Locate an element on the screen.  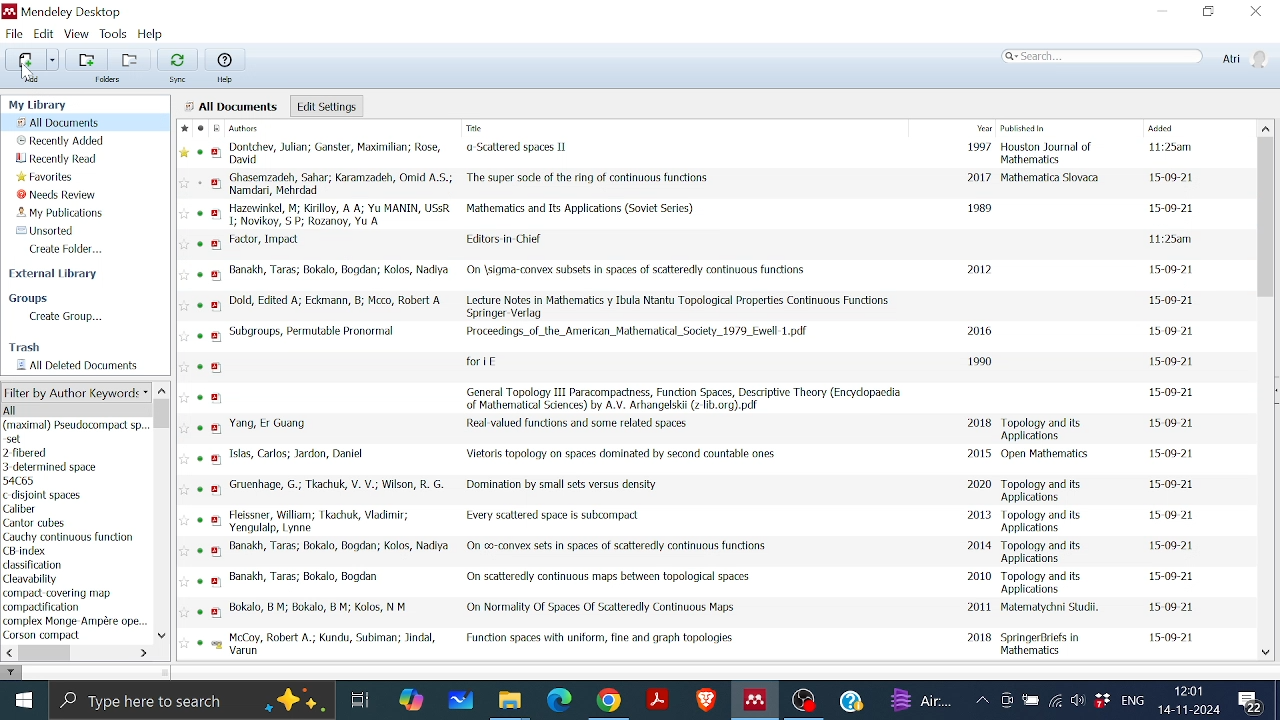
Title is located at coordinates (557, 484).